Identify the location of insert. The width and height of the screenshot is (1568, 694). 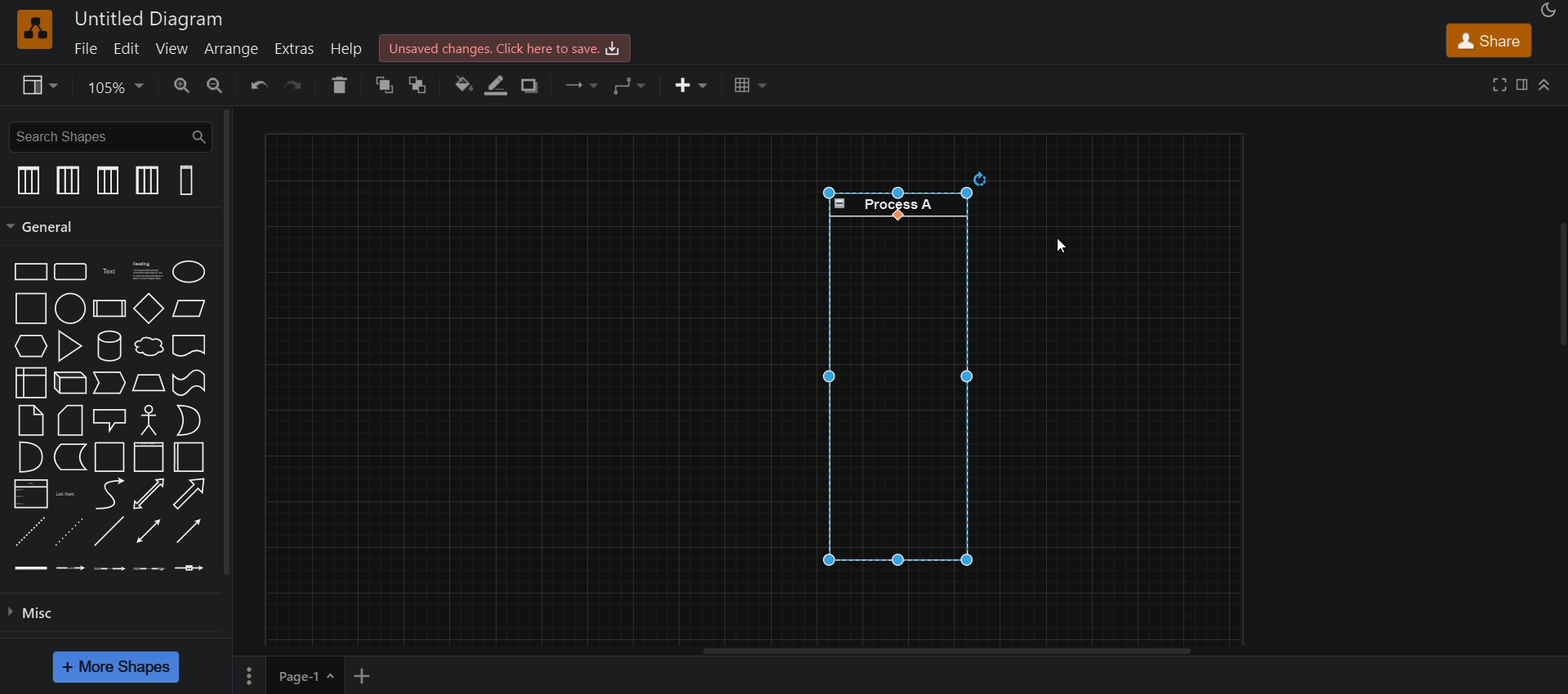
(693, 85).